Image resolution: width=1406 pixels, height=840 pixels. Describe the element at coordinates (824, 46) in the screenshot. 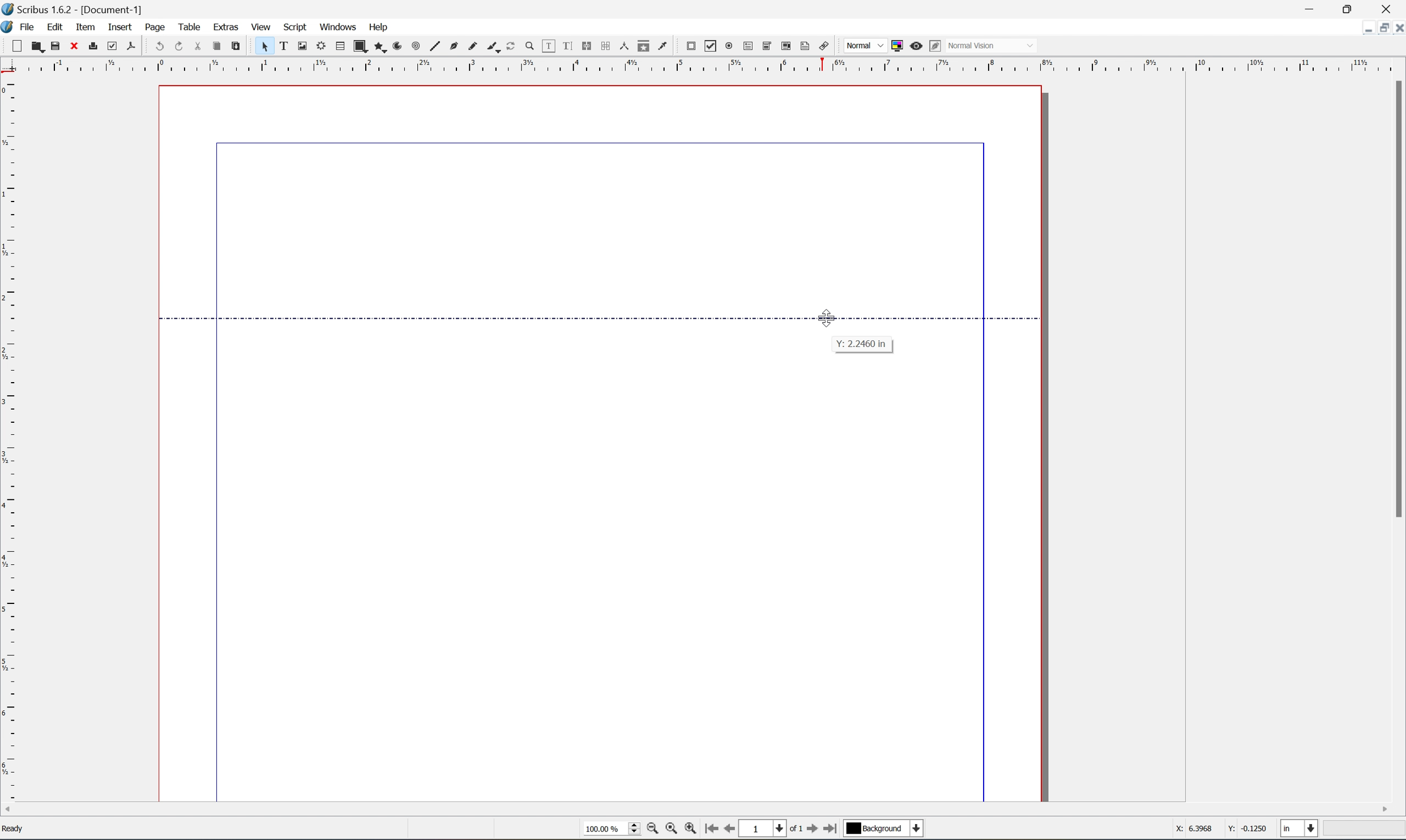

I see `link annotation` at that location.